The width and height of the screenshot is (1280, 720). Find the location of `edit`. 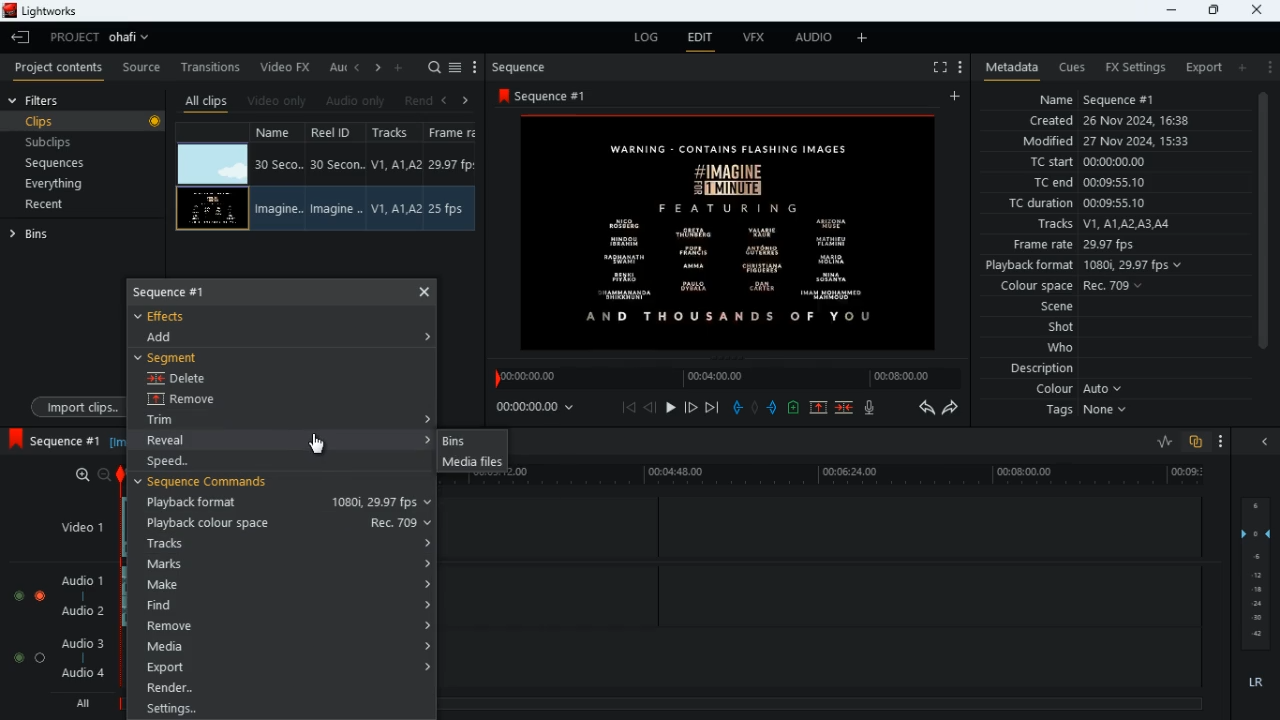

edit is located at coordinates (702, 39).